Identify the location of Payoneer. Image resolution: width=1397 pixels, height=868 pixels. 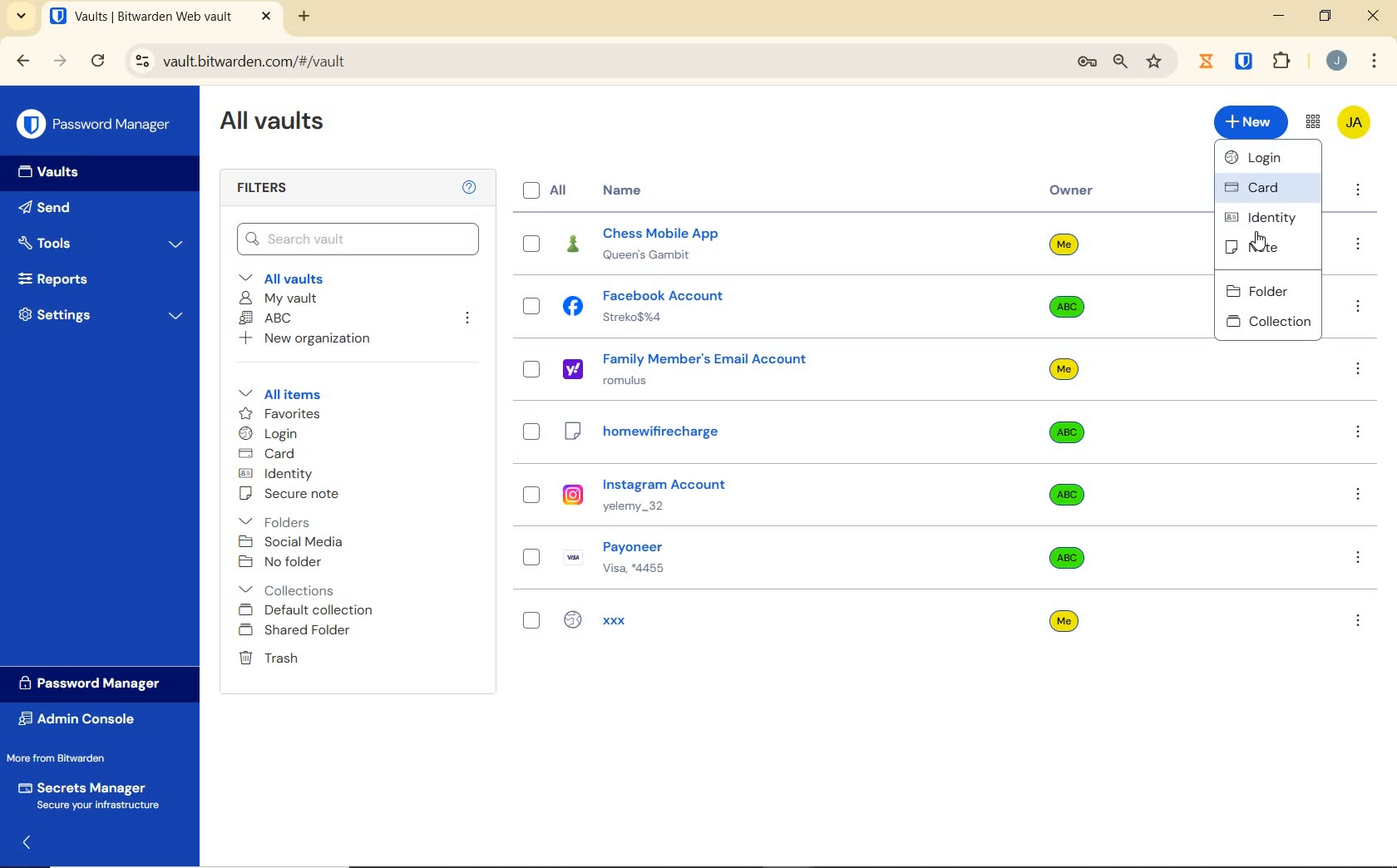
(681, 555).